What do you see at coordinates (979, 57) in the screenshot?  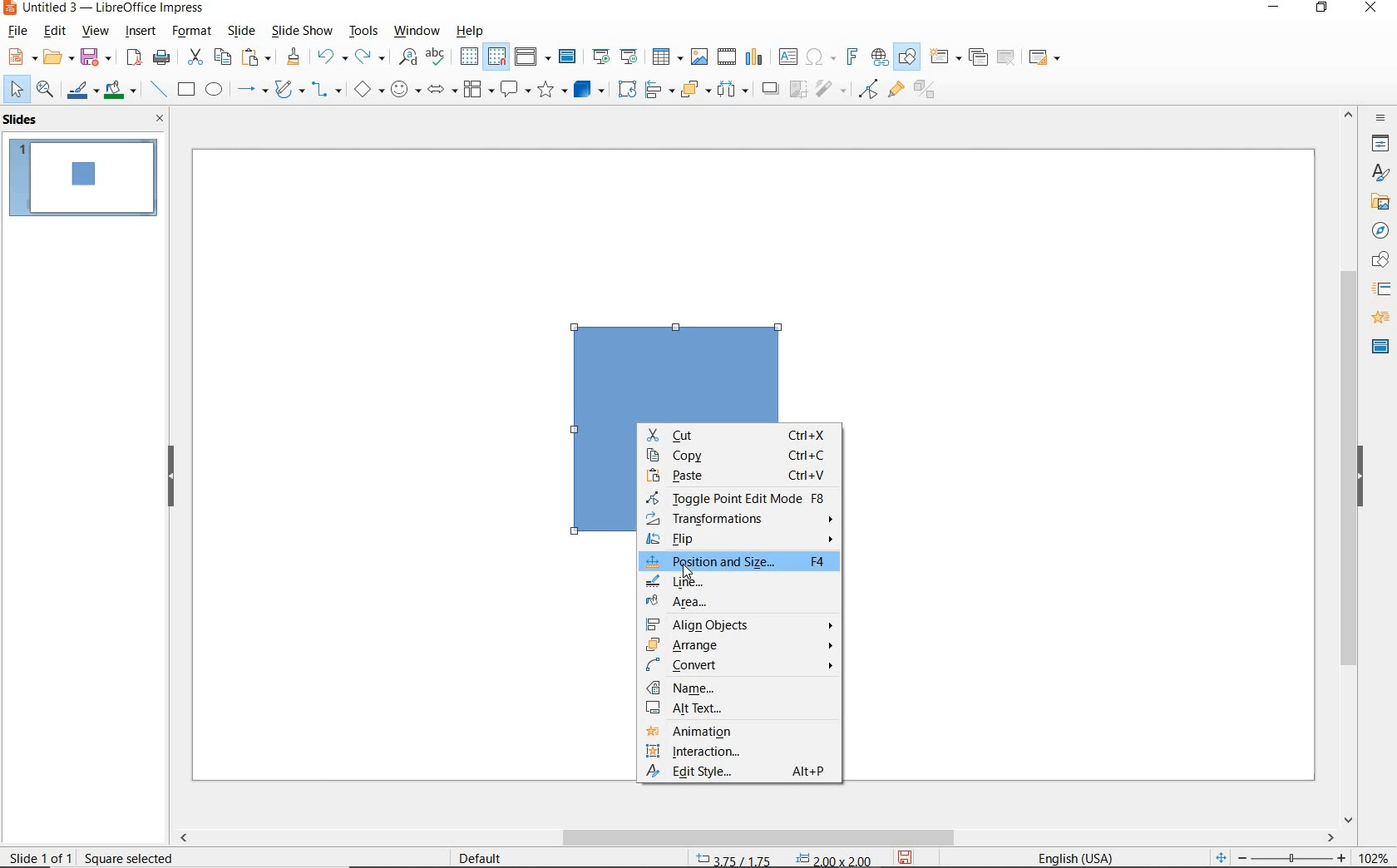 I see `duplicate slide` at bounding box center [979, 57].